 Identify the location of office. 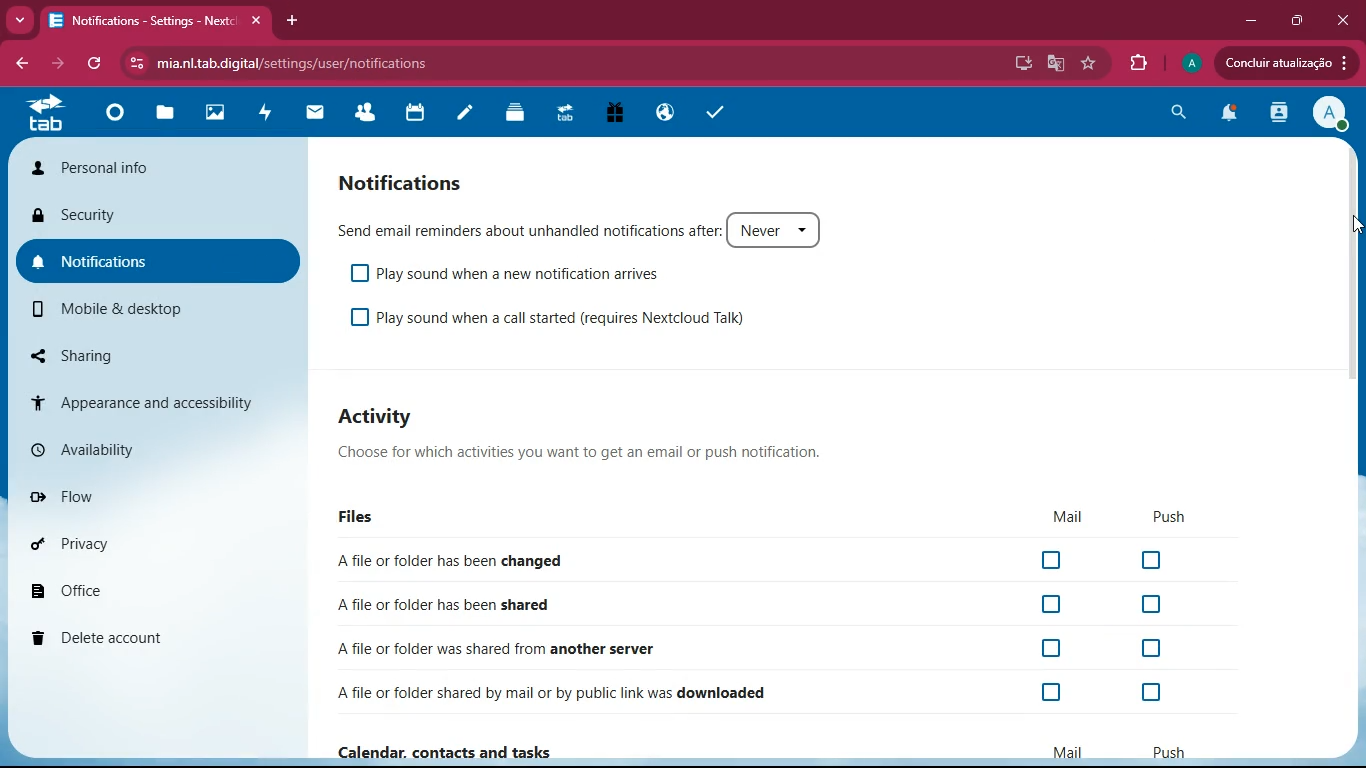
(143, 585).